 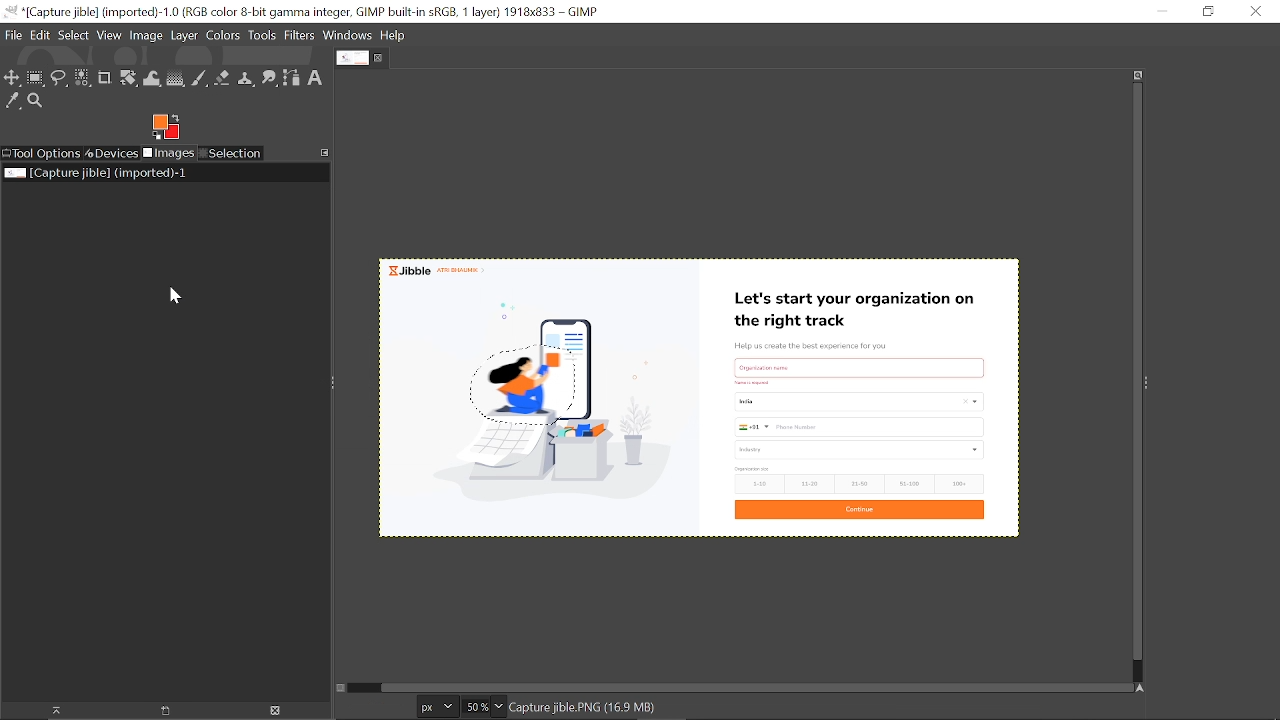 What do you see at coordinates (818, 396) in the screenshot?
I see `Current image` at bounding box center [818, 396].